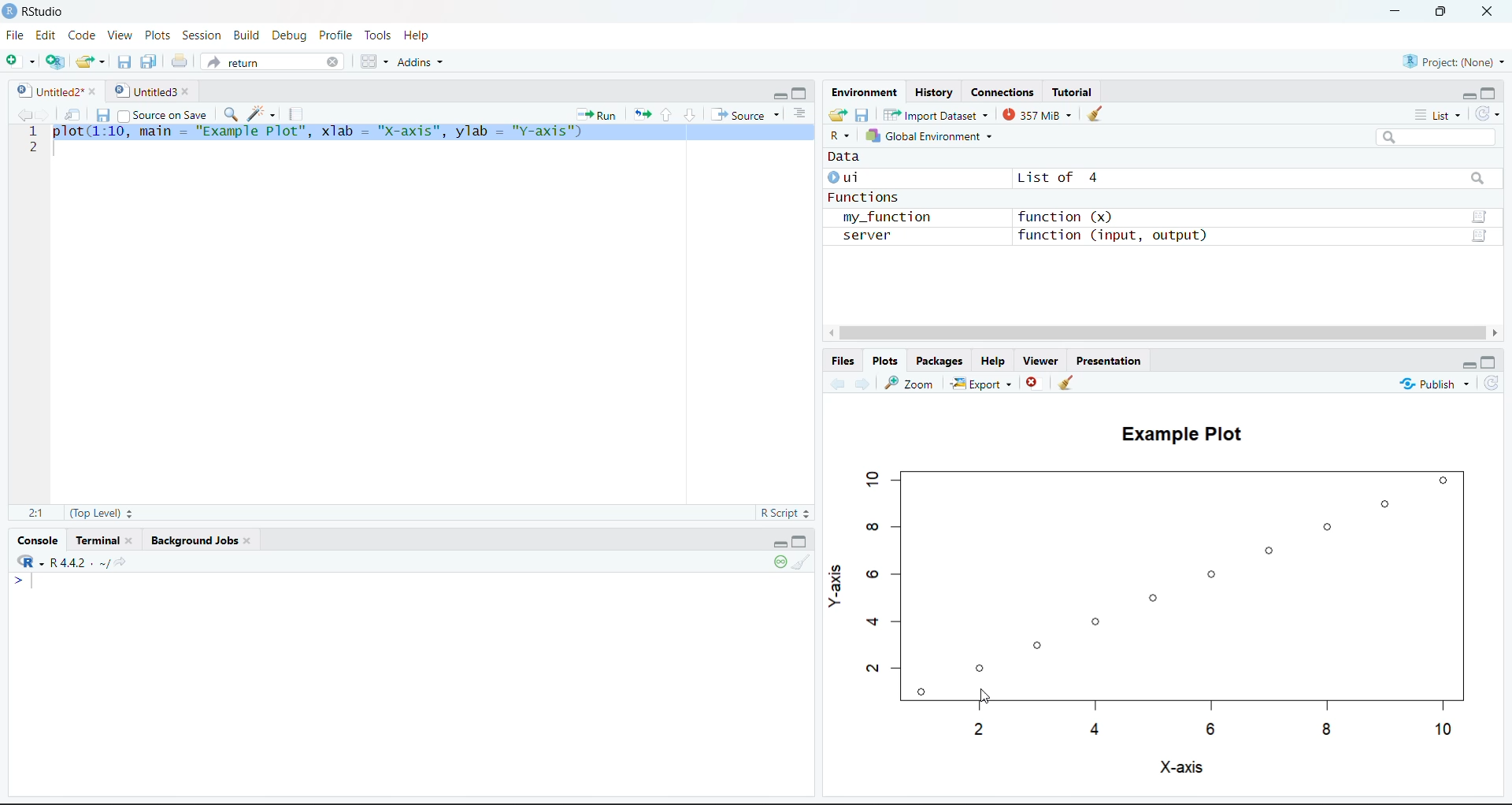 This screenshot has height=805, width=1512. I want to click on Background Jobs, so click(197, 540).